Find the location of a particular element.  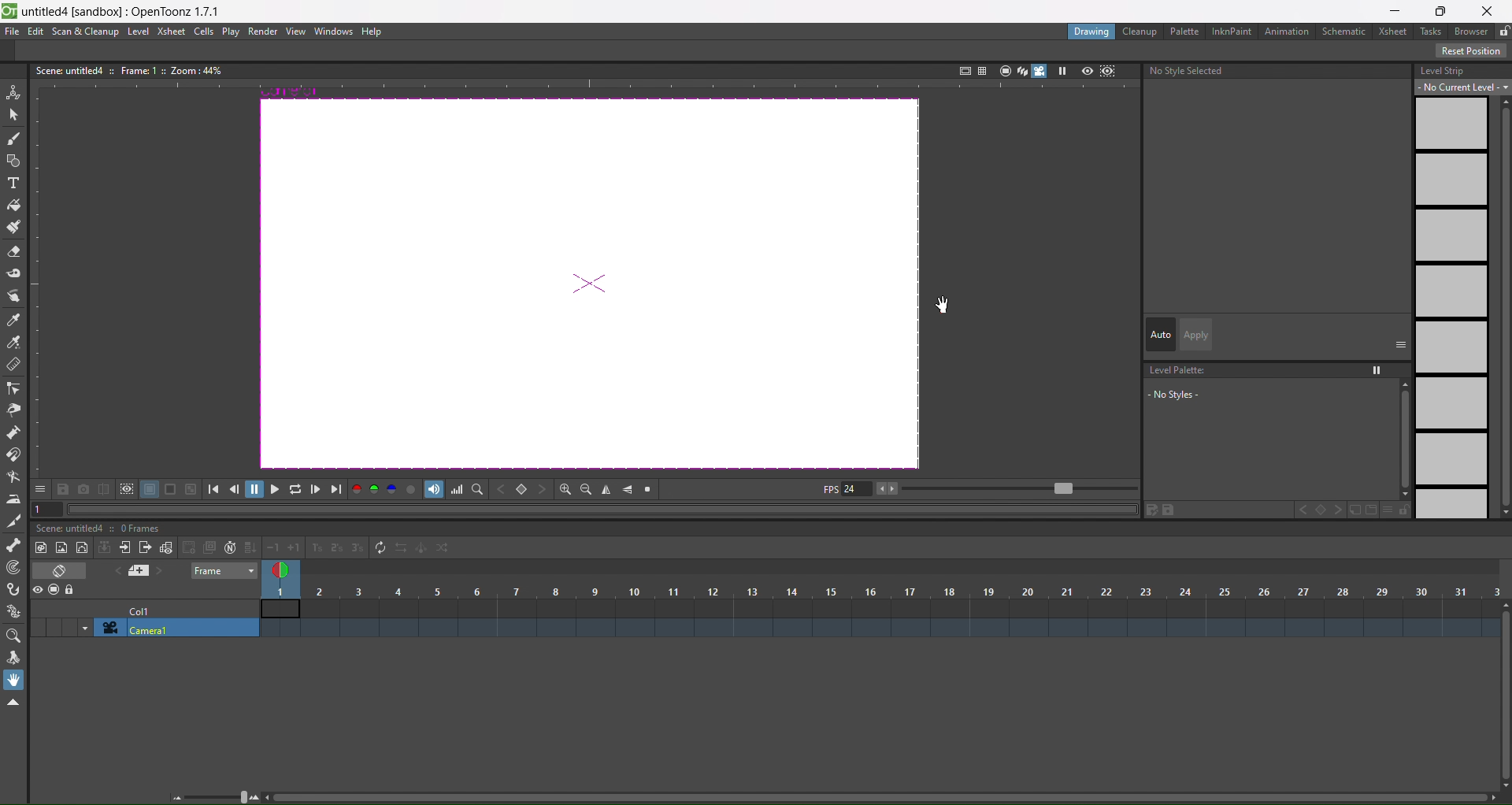

plastic tool is located at coordinates (14, 607).